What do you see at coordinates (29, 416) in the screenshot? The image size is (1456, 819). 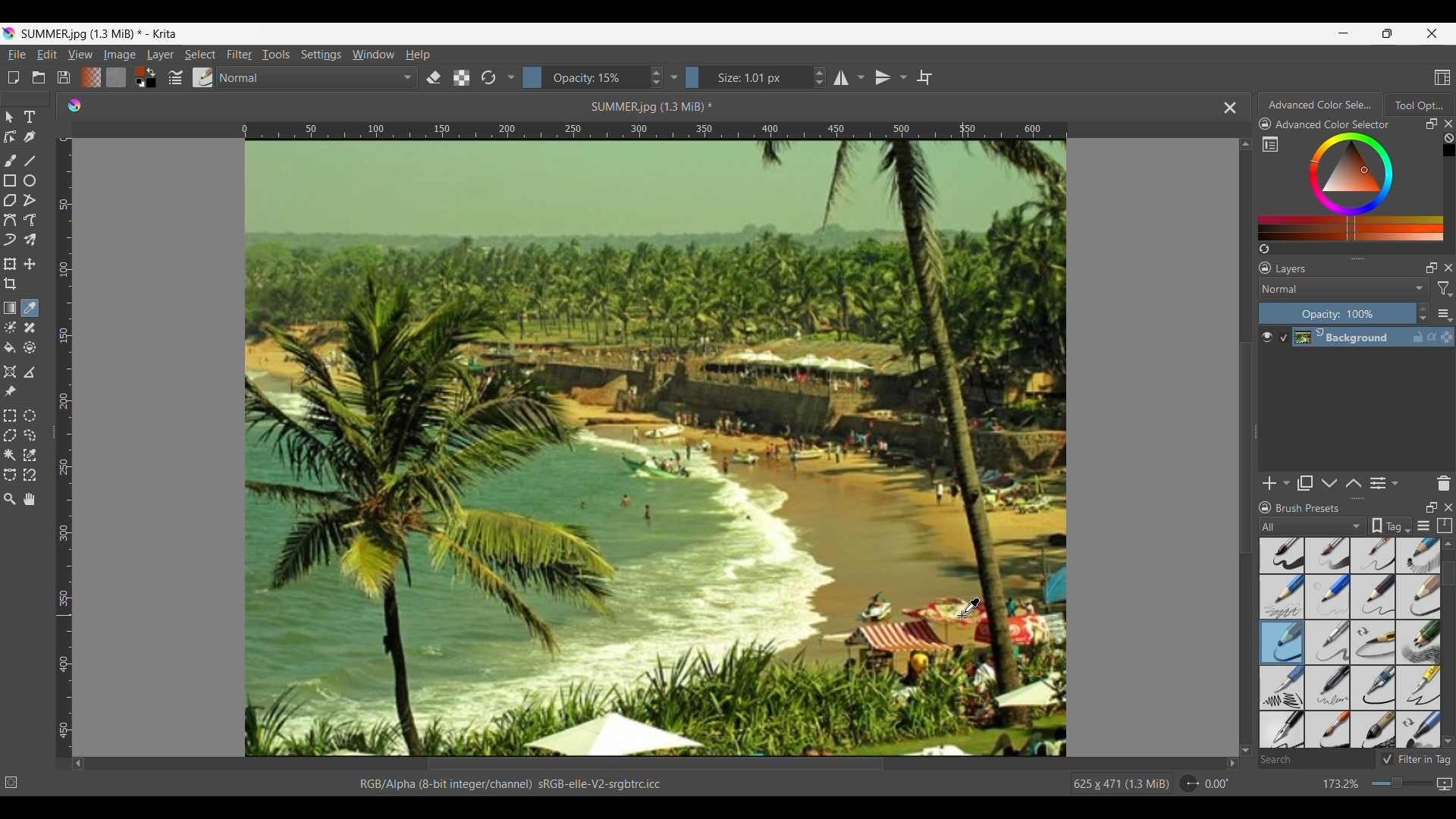 I see `Elliptical selection tool` at bounding box center [29, 416].